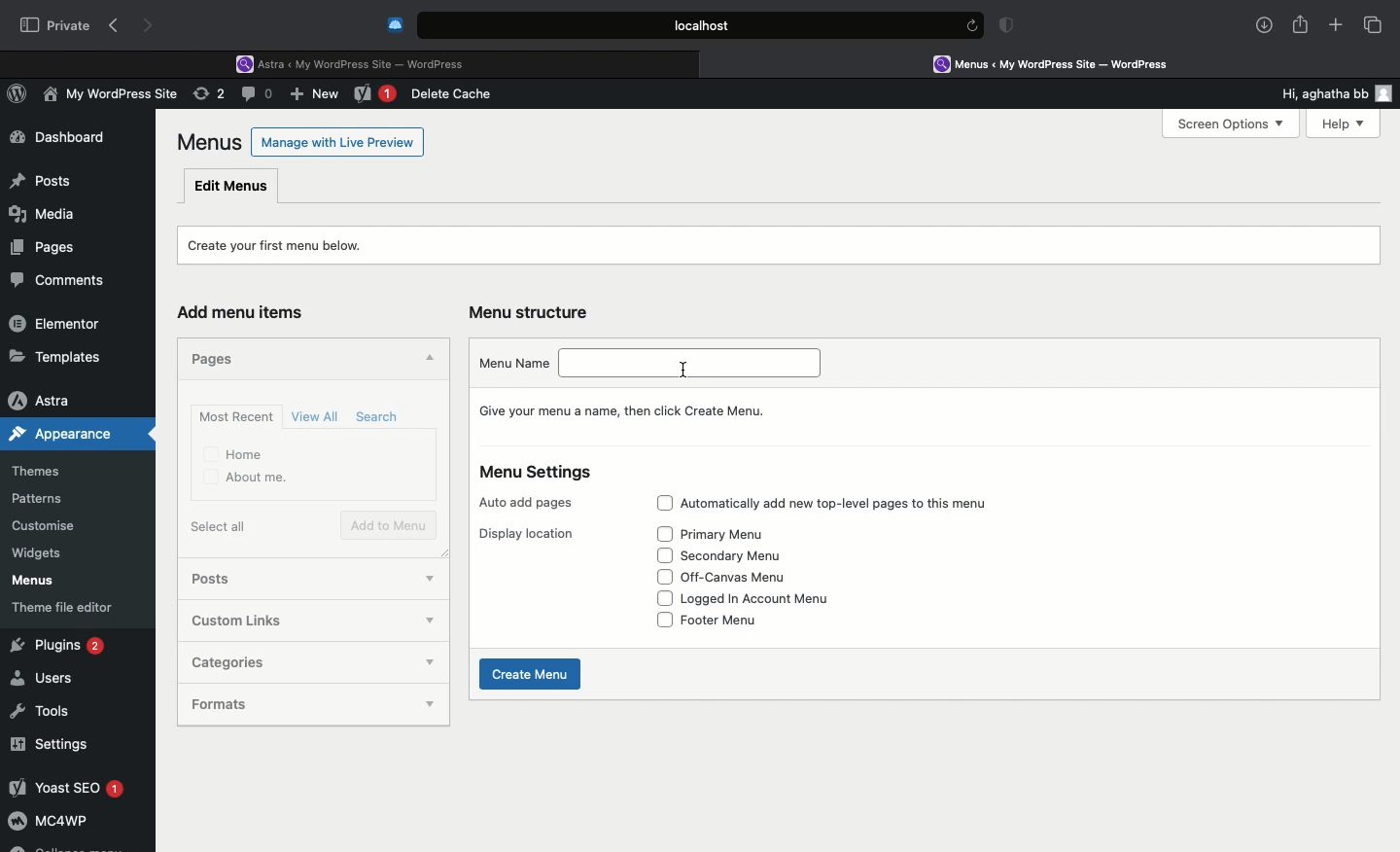 The image size is (1400, 852). What do you see at coordinates (430, 575) in the screenshot?
I see `Show` at bounding box center [430, 575].